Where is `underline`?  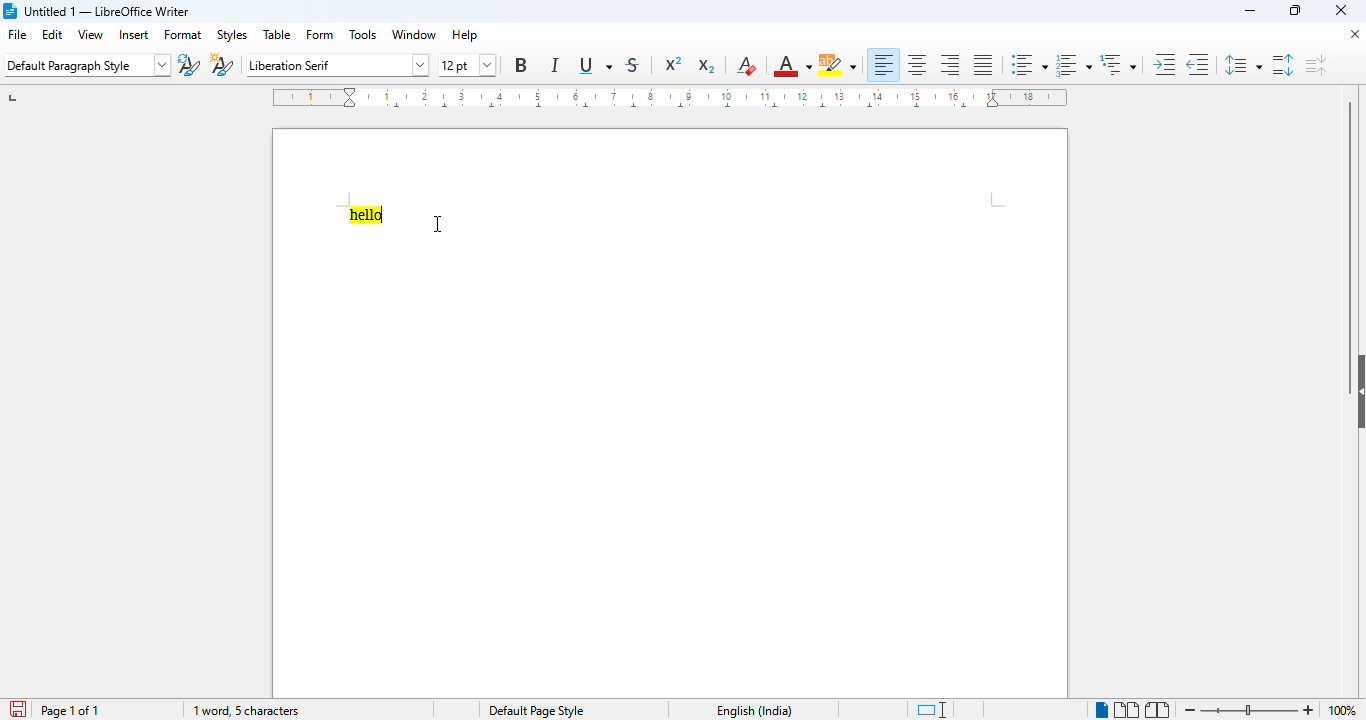 underline is located at coordinates (594, 66).